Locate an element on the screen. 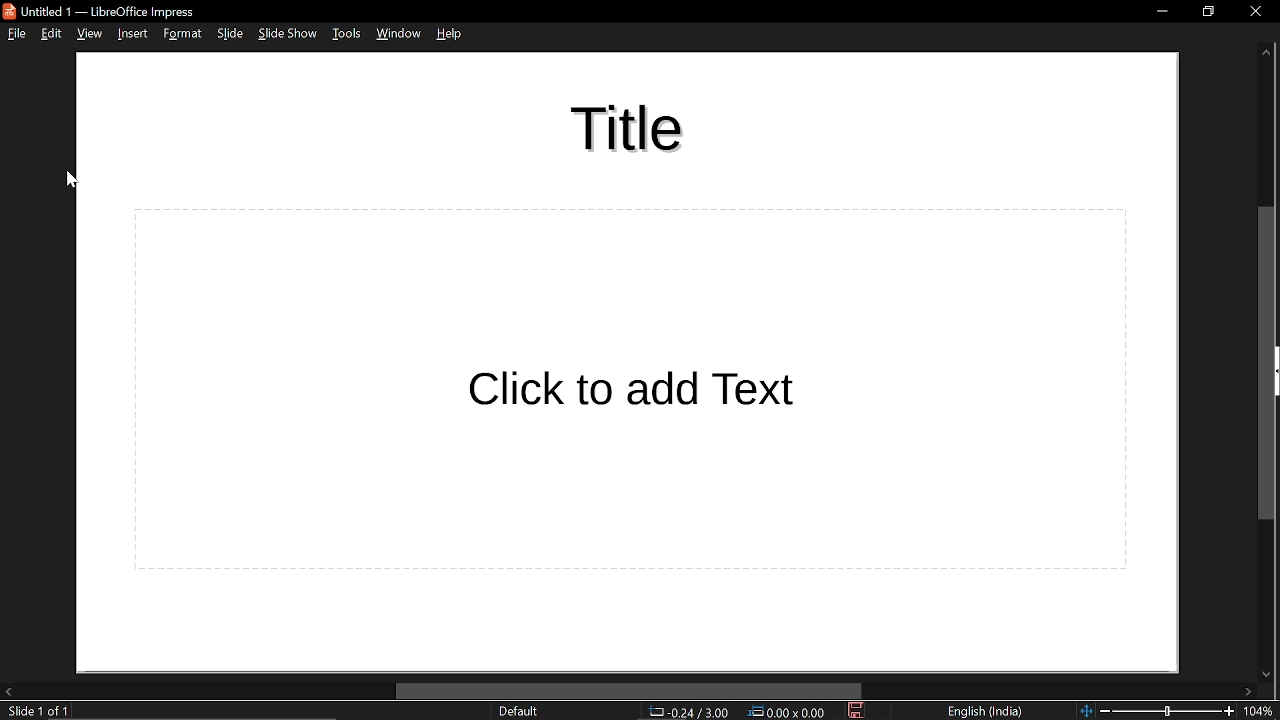 Image resolution: width=1280 pixels, height=720 pixels. fit to page is located at coordinates (1083, 710).